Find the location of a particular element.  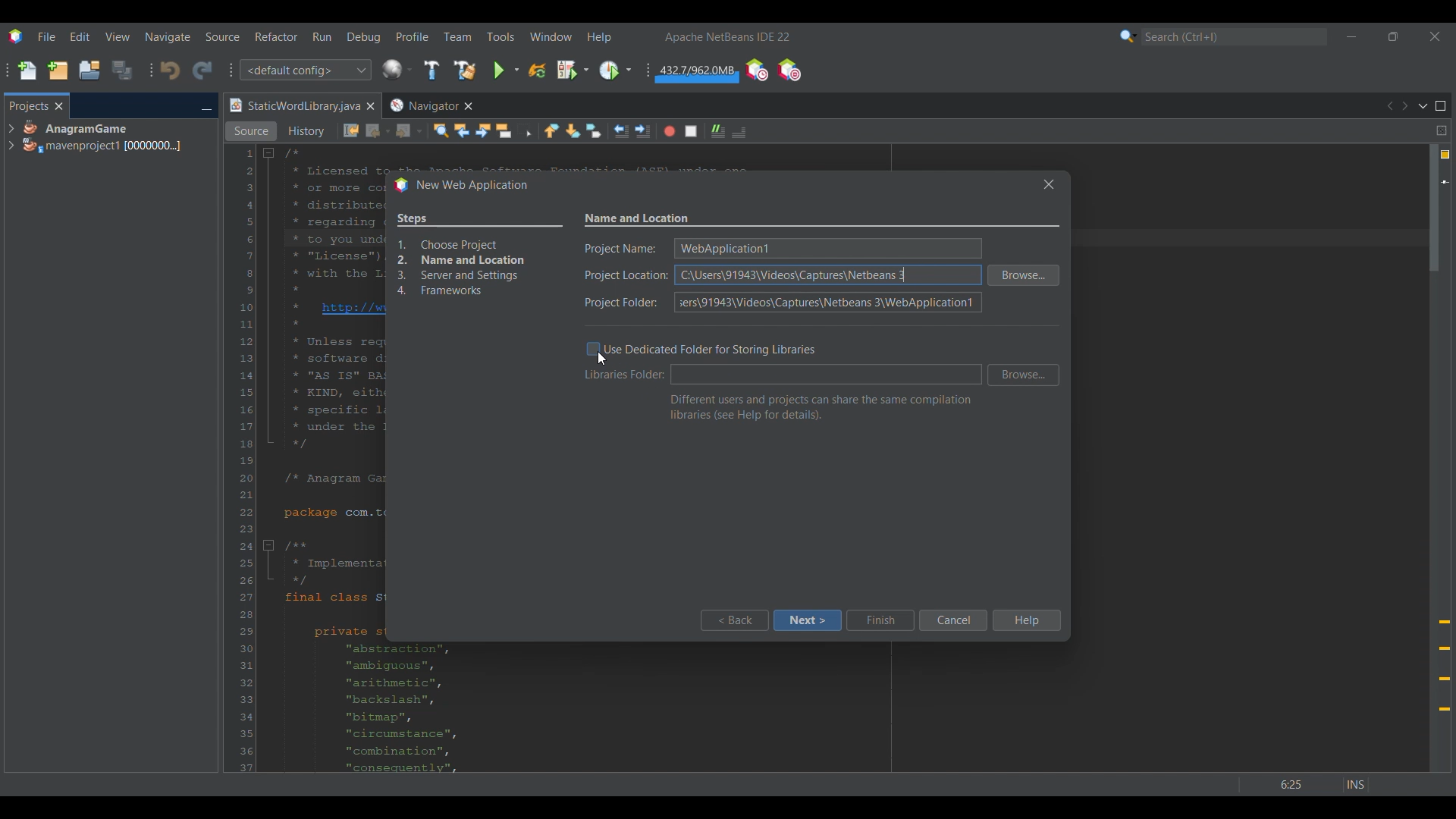

Split window horizontally or vertically is located at coordinates (1441, 130).